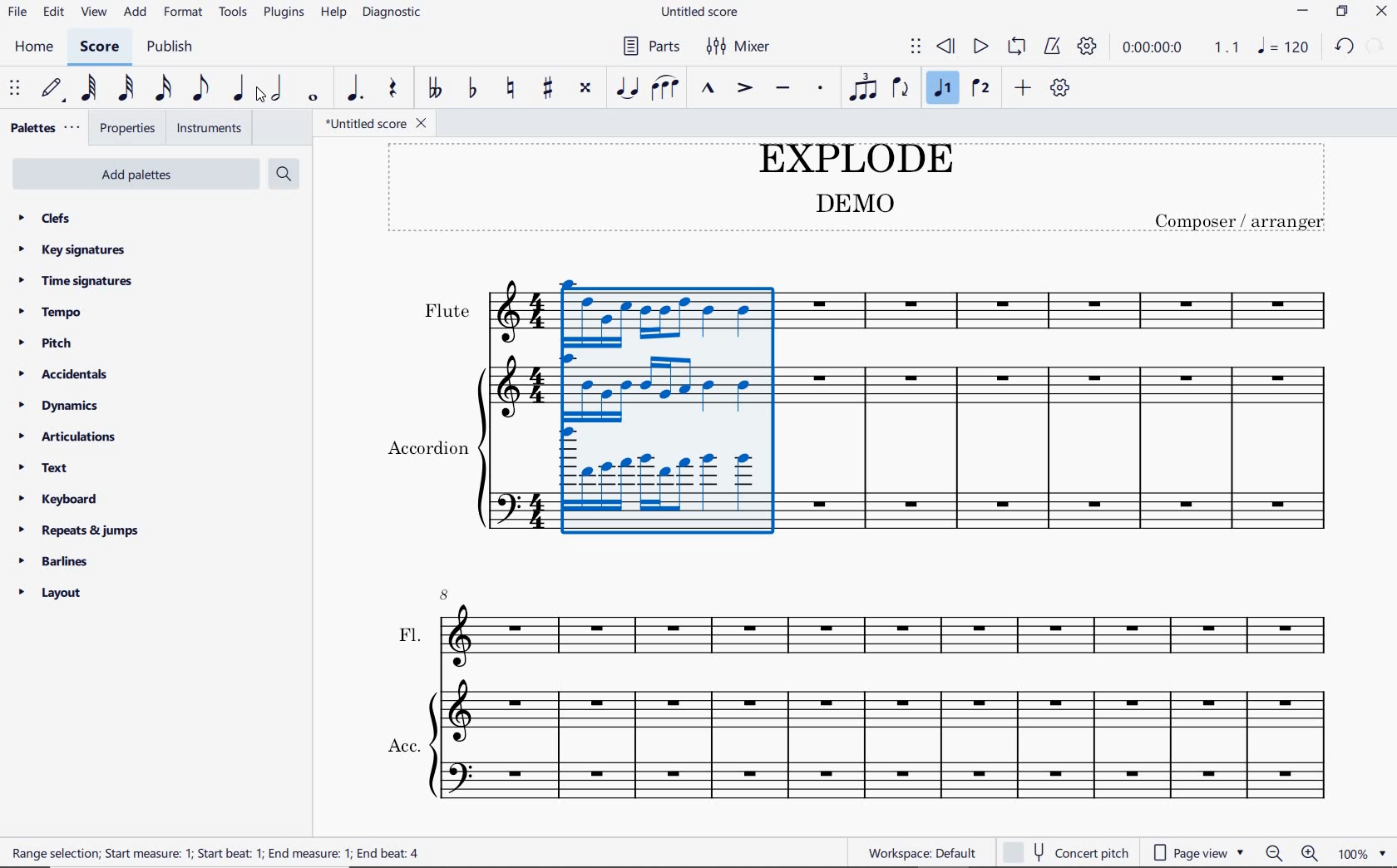 The image size is (1397, 868). What do you see at coordinates (284, 13) in the screenshot?
I see `plugins` at bounding box center [284, 13].